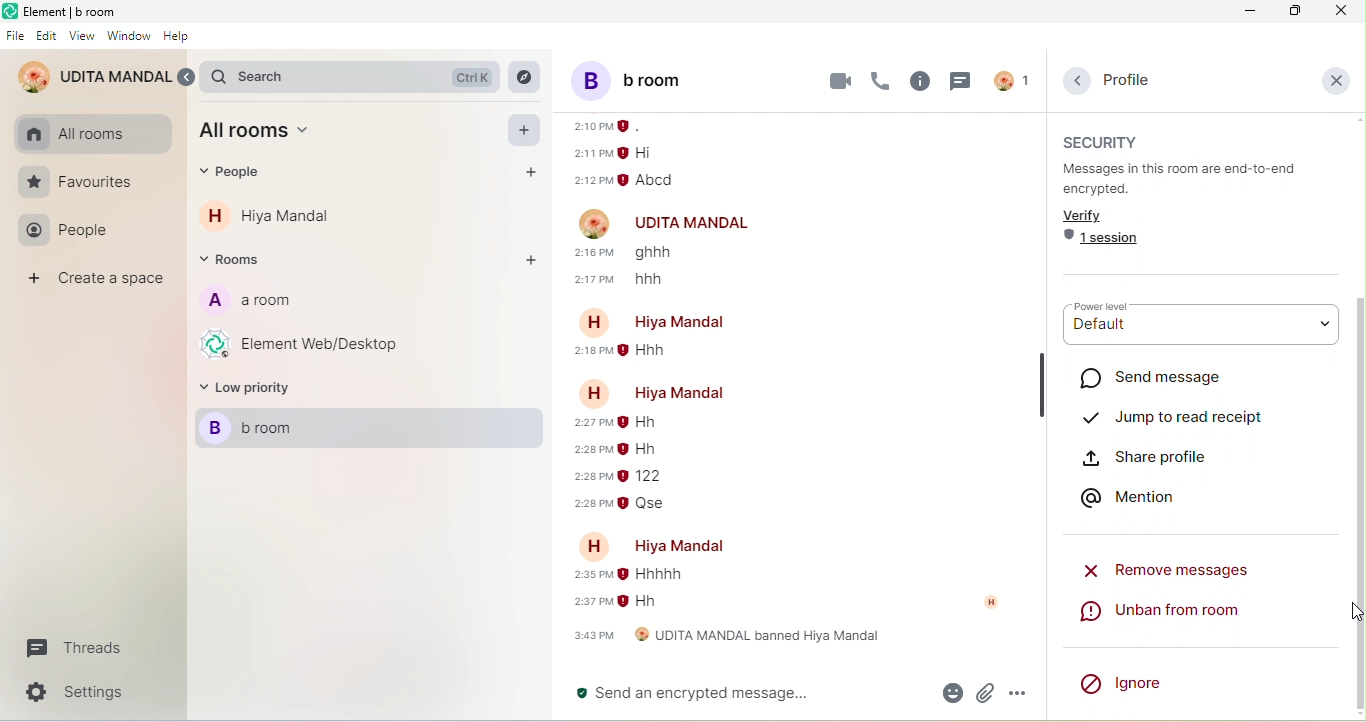 The height and width of the screenshot is (722, 1366). What do you see at coordinates (1340, 11) in the screenshot?
I see `close` at bounding box center [1340, 11].